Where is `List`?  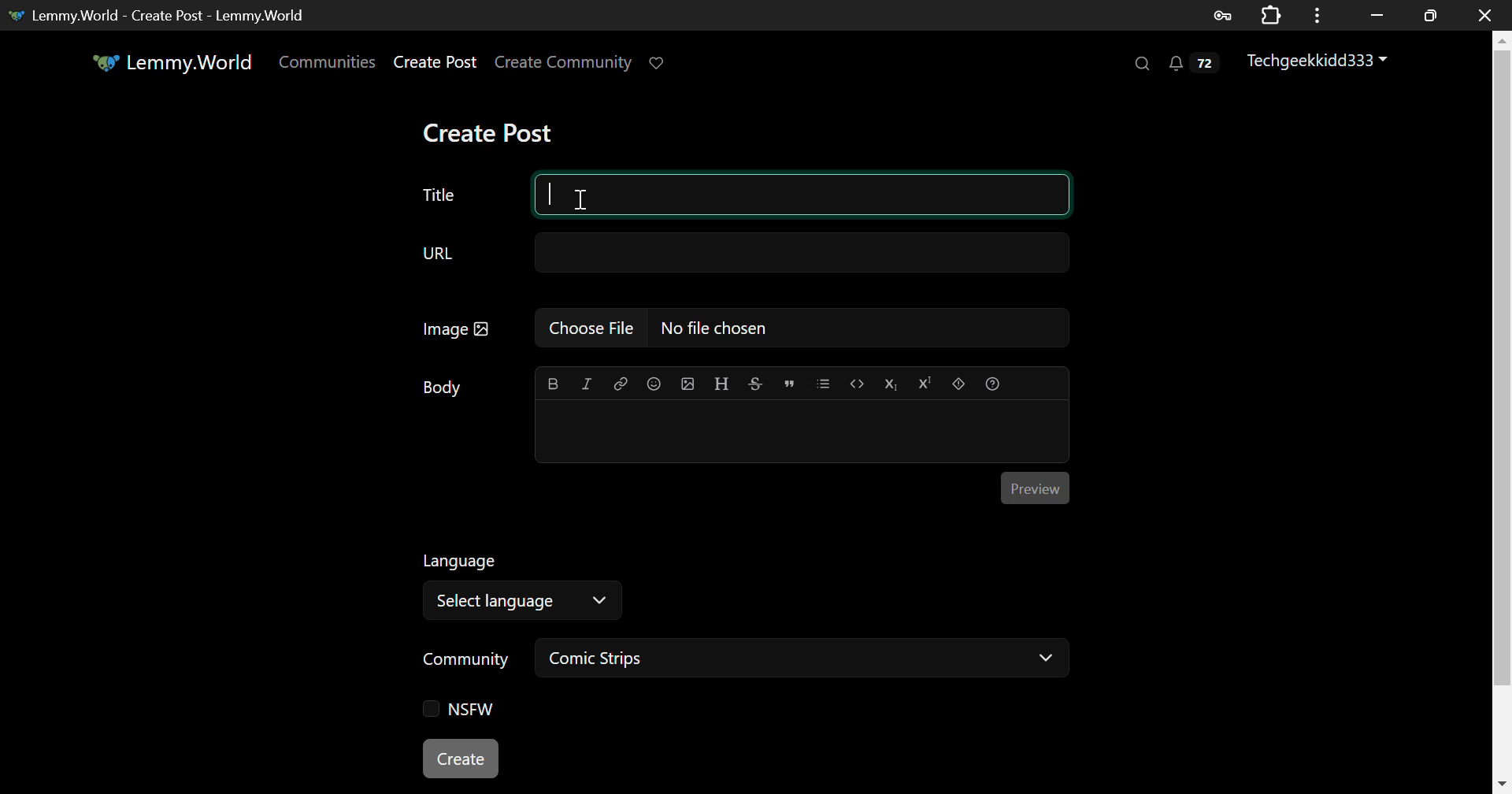 List is located at coordinates (823, 382).